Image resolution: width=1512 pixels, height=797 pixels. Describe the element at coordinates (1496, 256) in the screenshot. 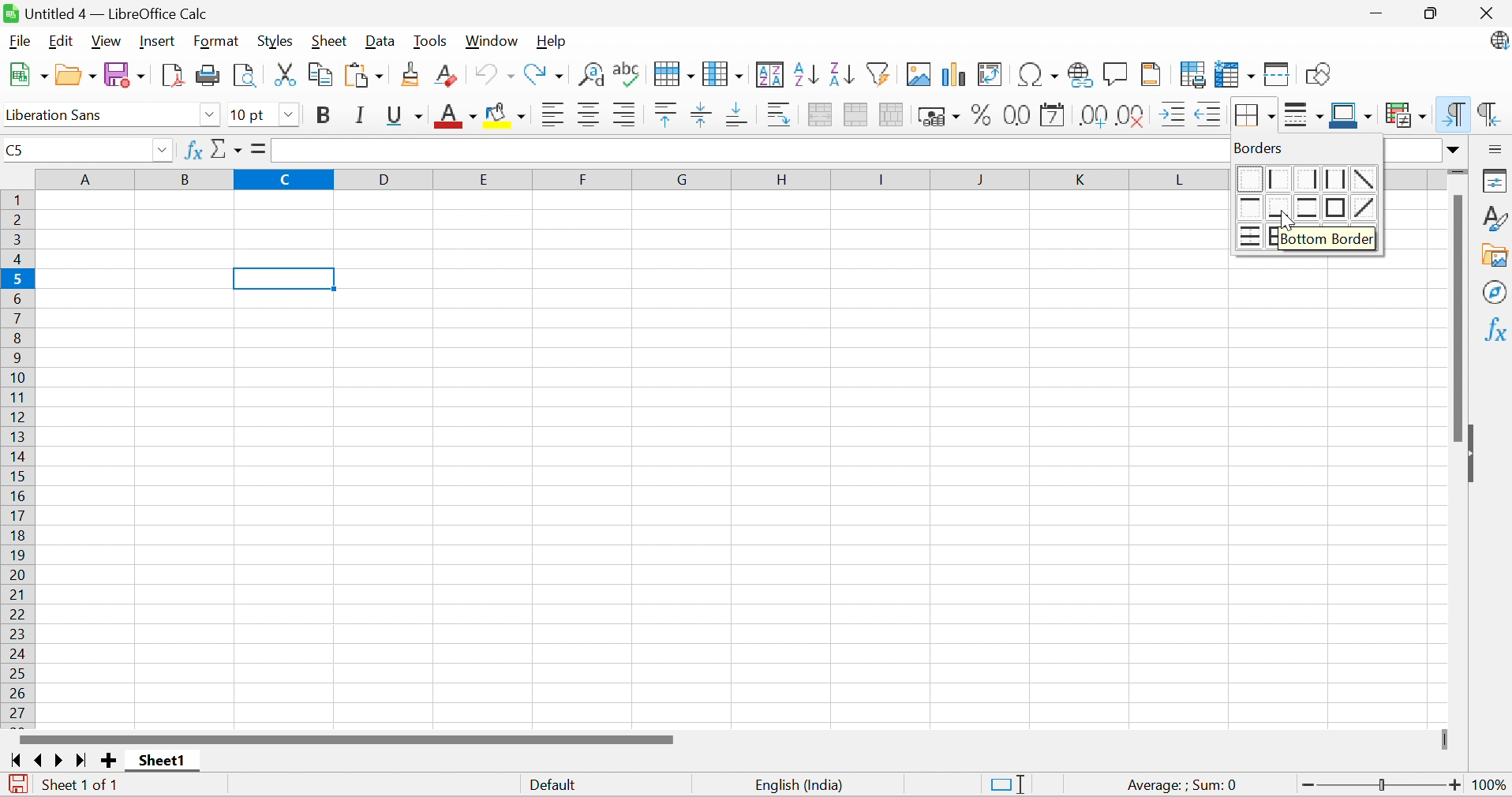

I see `Gallery` at that location.